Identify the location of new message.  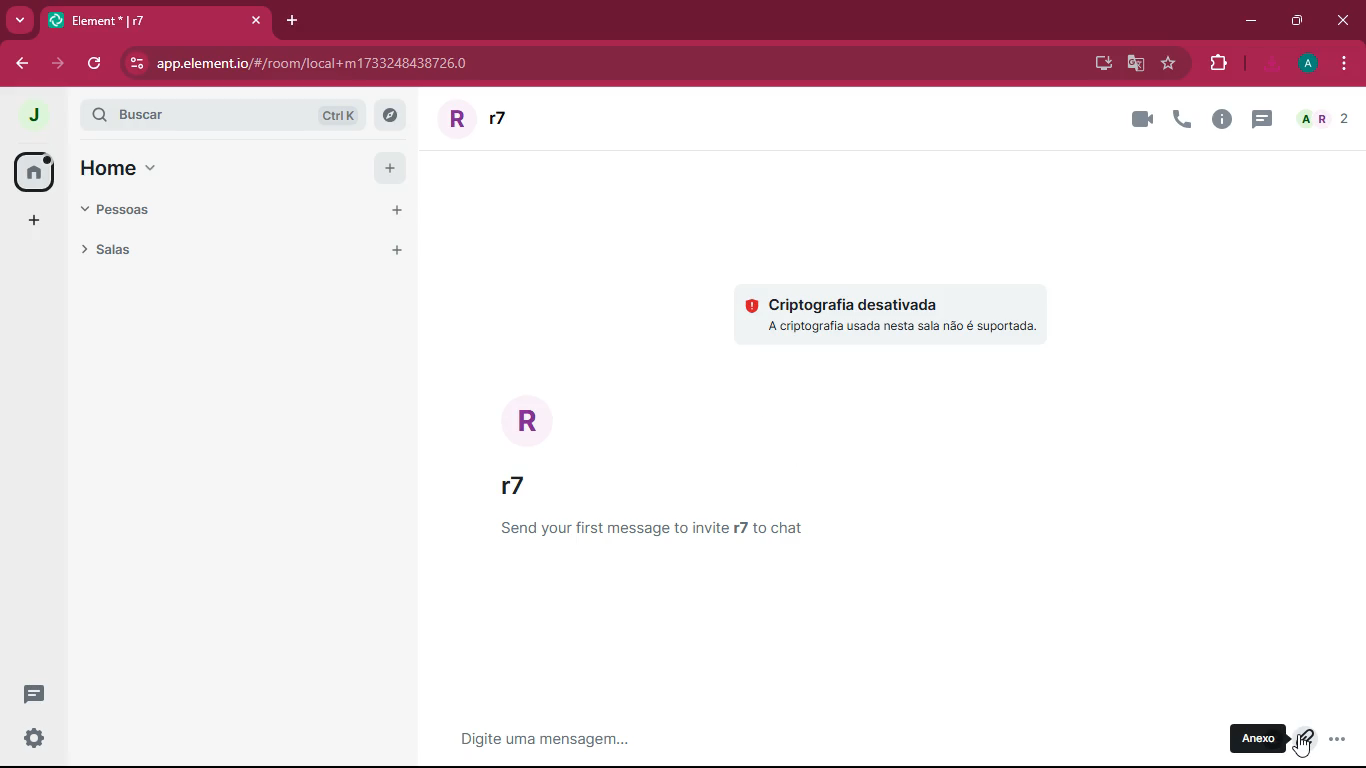
(1258, 120).